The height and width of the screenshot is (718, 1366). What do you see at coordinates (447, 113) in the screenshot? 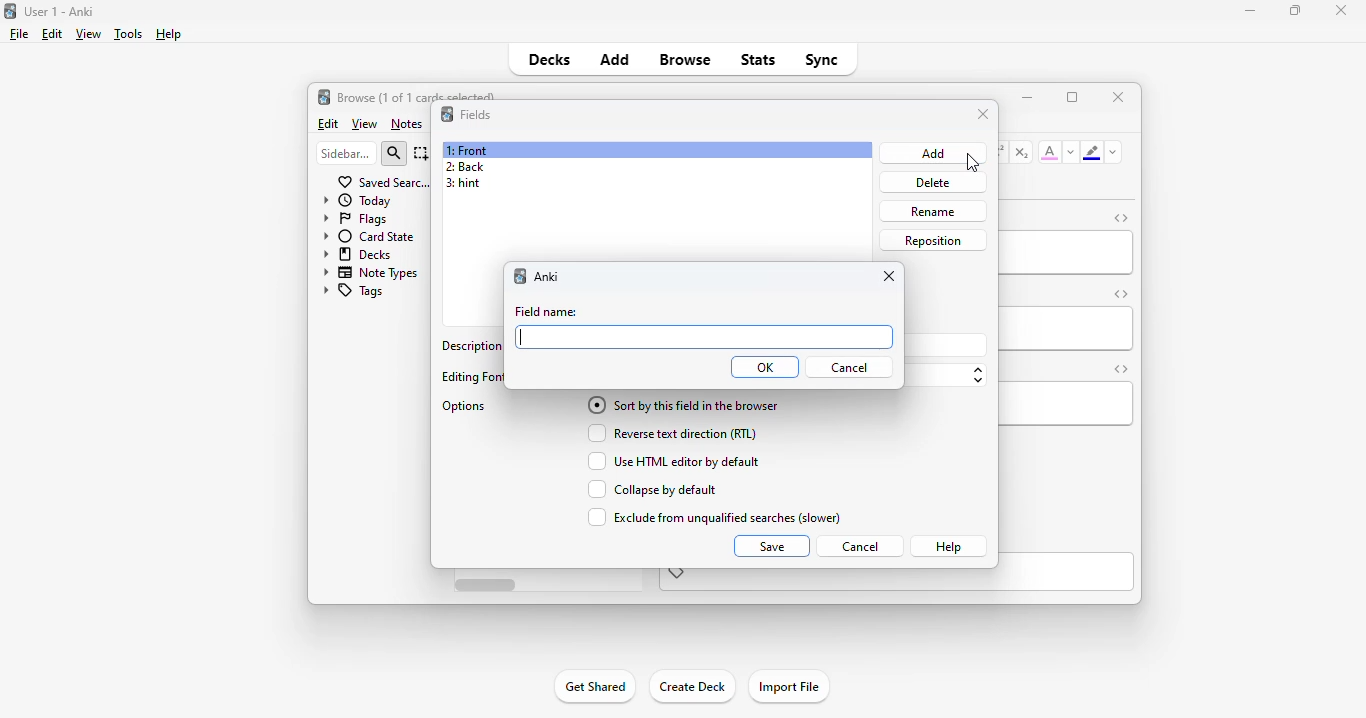
I see `logo` at bounding box center [447, 113].